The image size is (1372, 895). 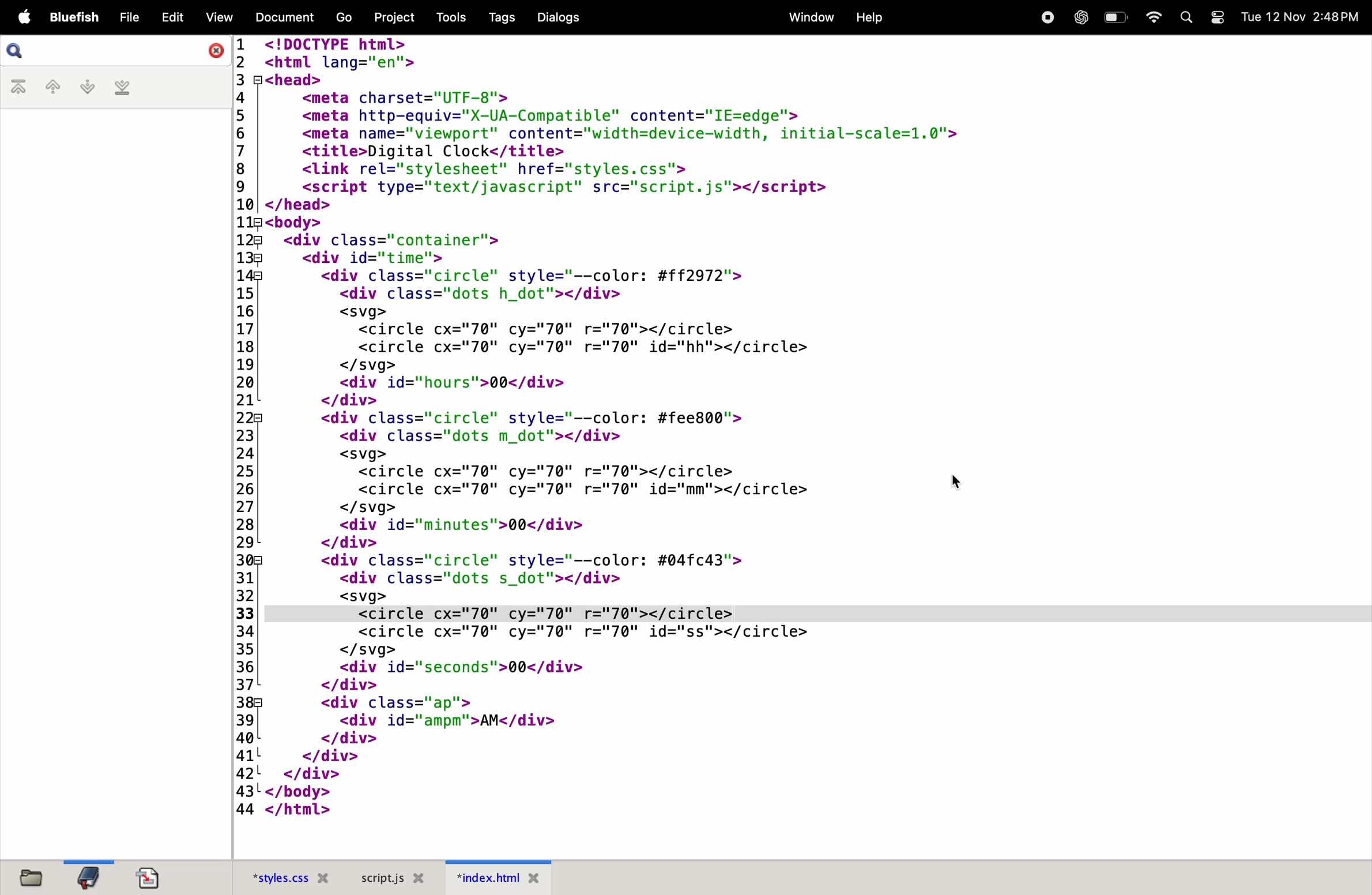 What do you see at coordinates (339, 18) in the screenshot?
I see `go` at bounding box center [339, 18].